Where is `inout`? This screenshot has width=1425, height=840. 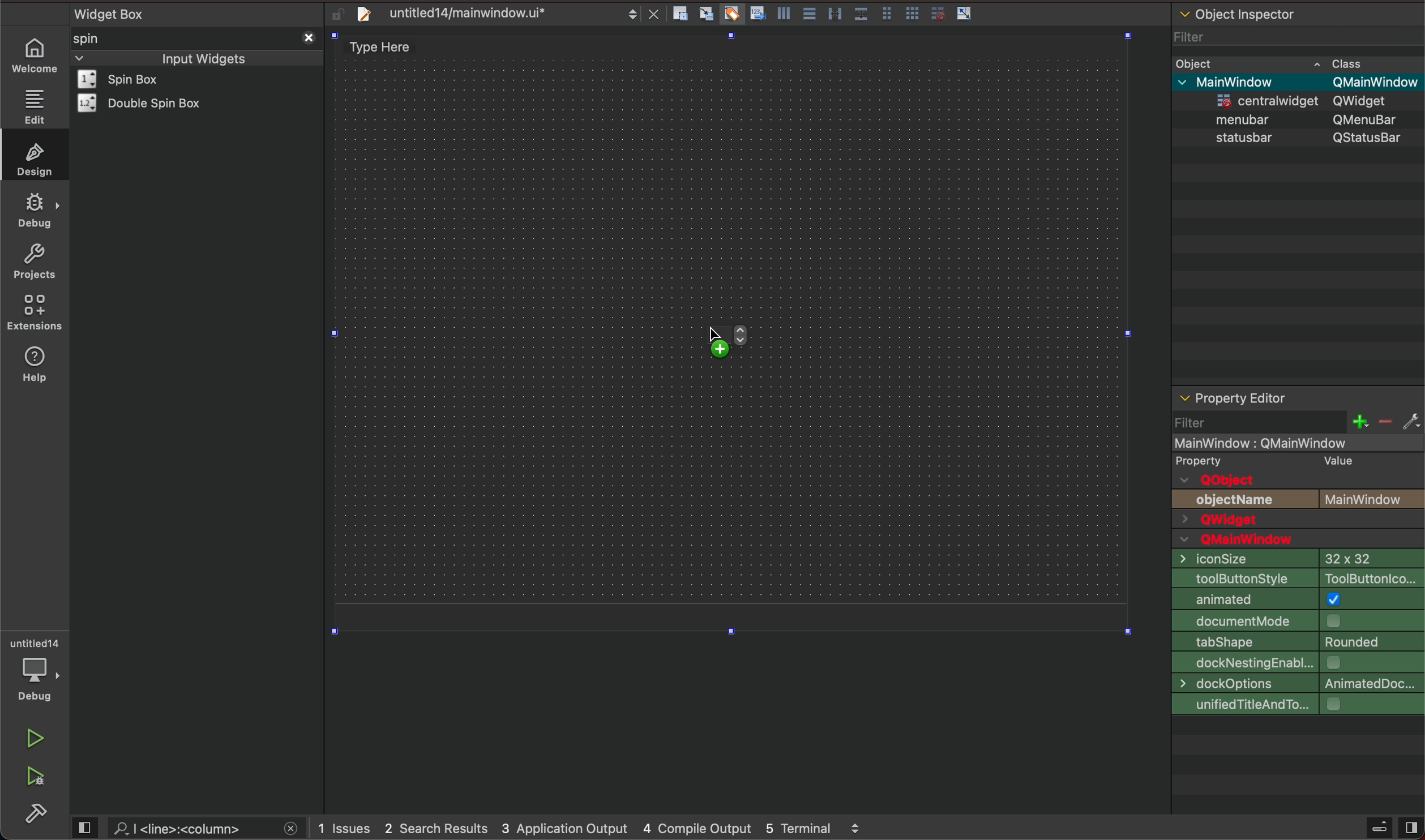 inout is located at coordinates (203, 57).